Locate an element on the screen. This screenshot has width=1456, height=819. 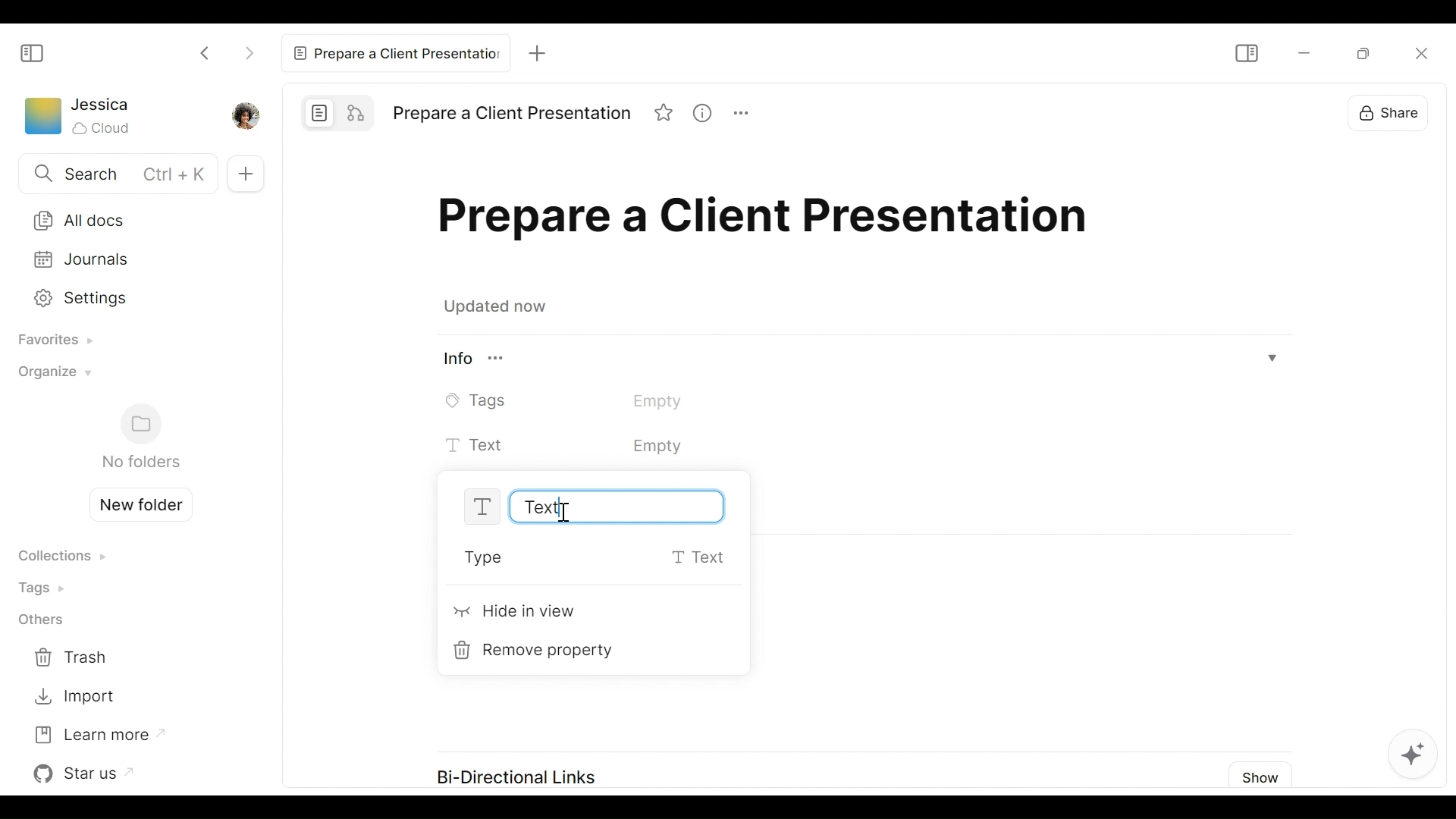
Workspace is located at coordinates (42, 119).